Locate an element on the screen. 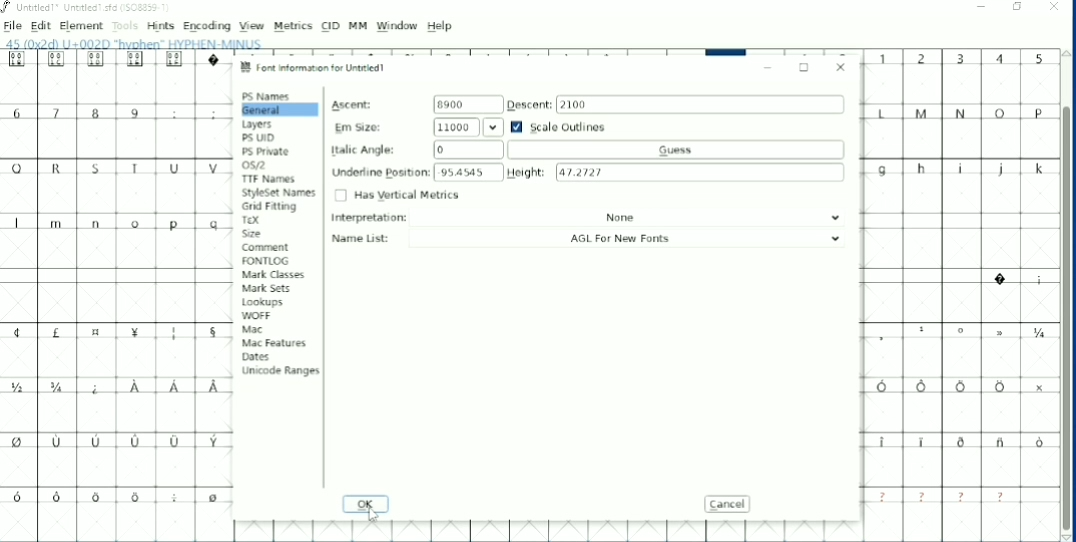 This screenshot has height=542, width=1076. Height is located at coordinates (677, 171).